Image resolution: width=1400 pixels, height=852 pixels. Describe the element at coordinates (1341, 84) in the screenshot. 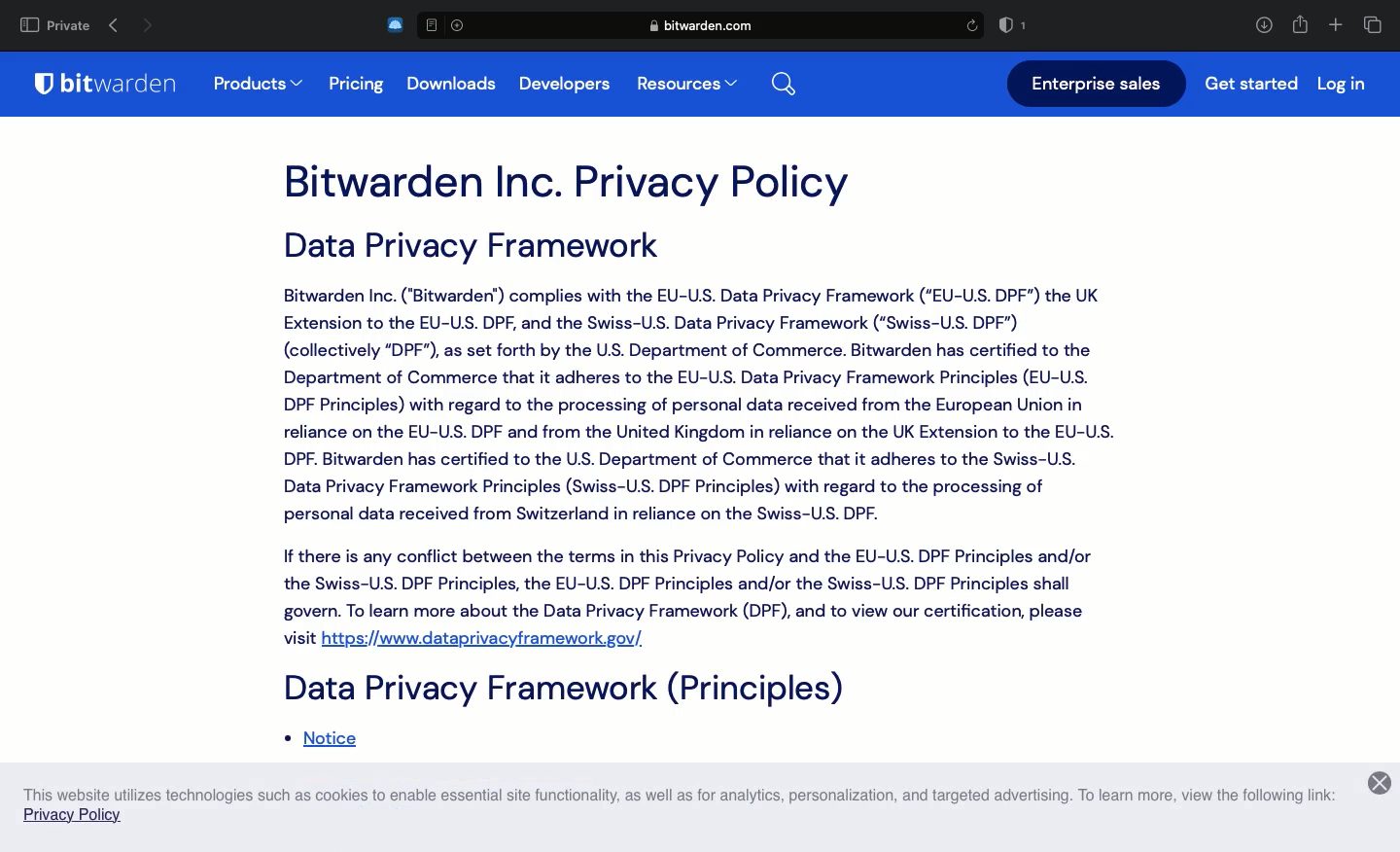

I see `login` at that location.